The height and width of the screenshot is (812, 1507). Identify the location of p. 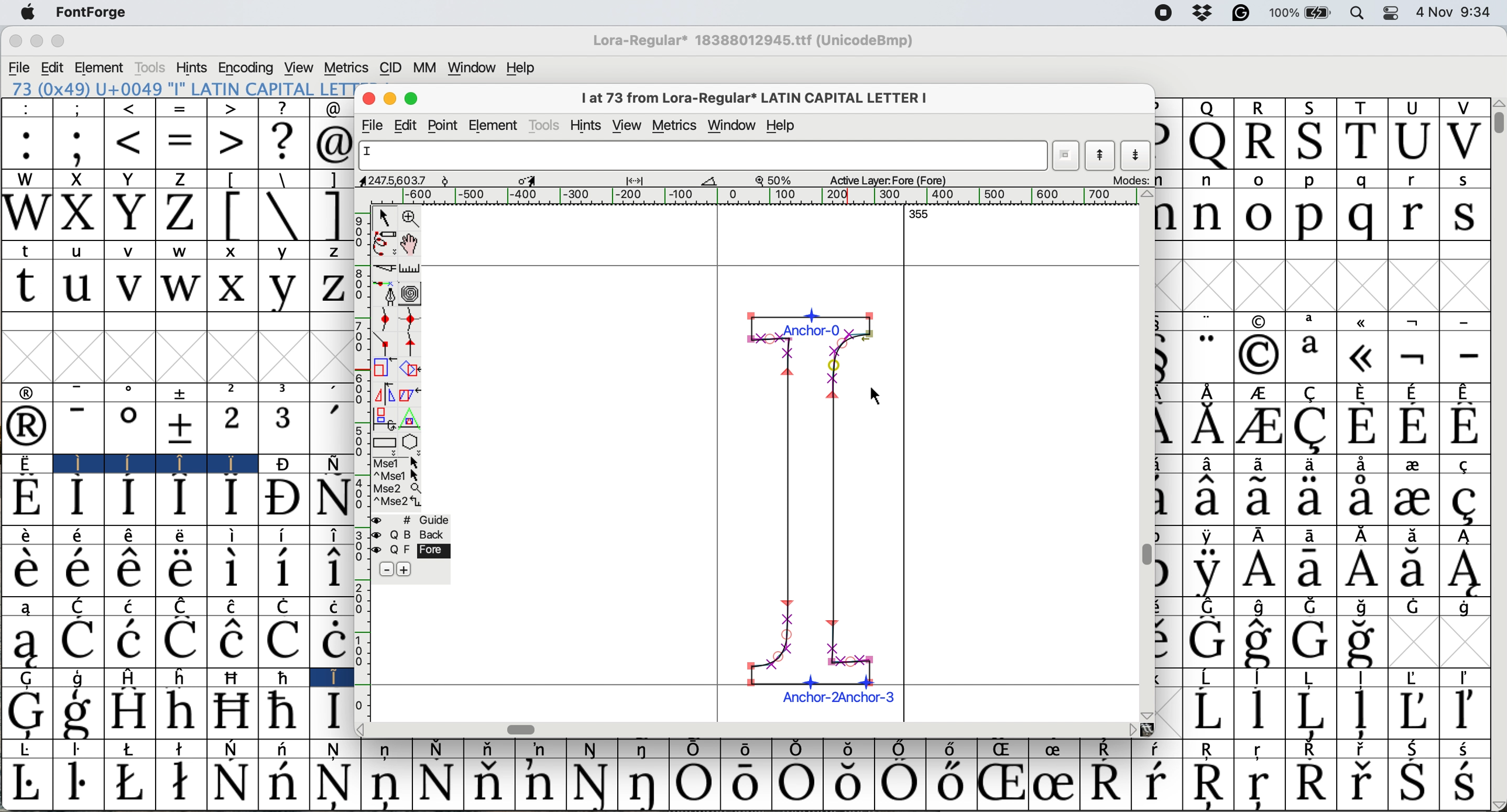
(1309, 216).